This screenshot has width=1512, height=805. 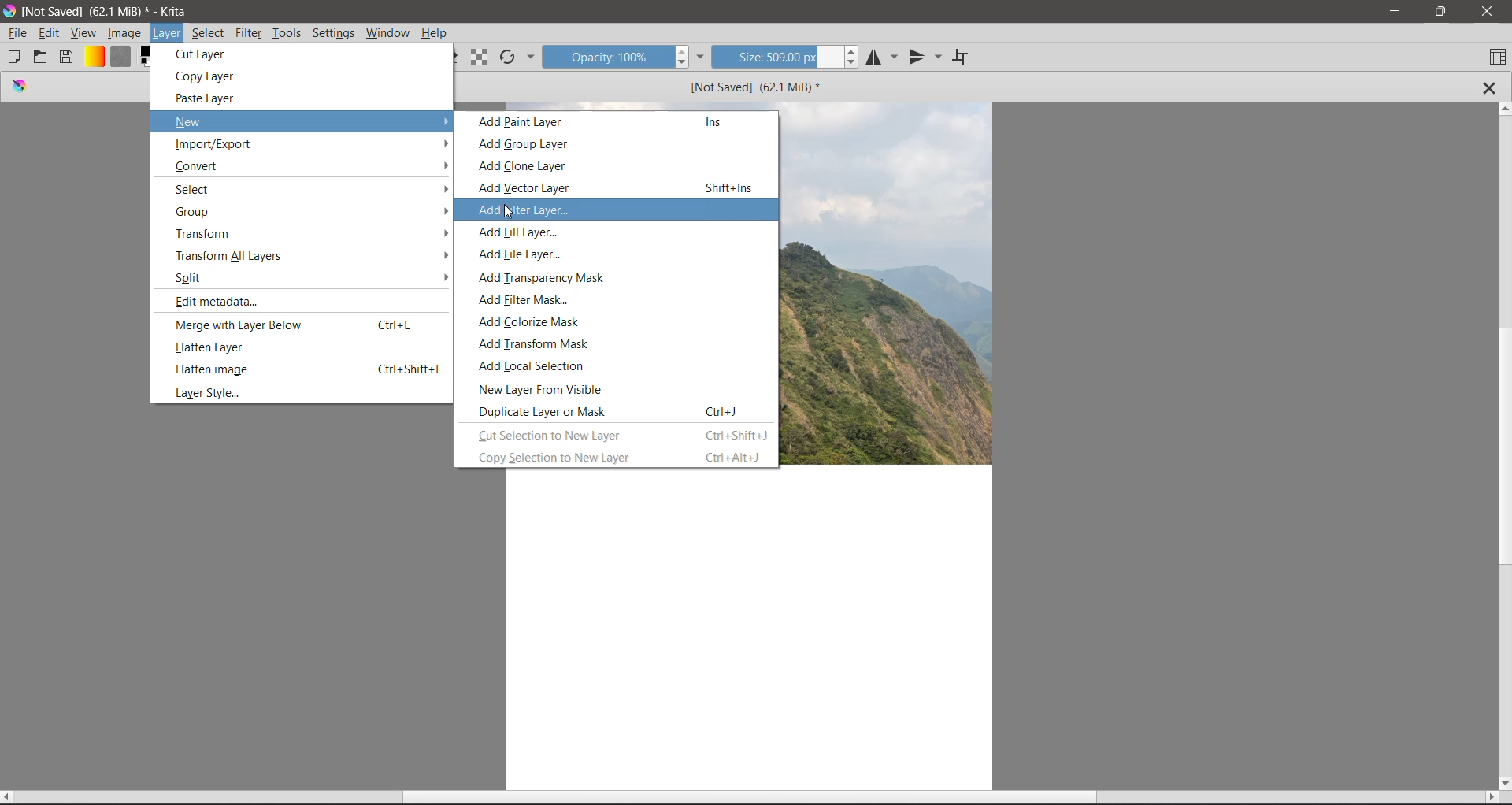 What do you see at coordinates (509, 57) in the screenshot?
I see `Reload Original Preset` at bounding box center [509, 57].